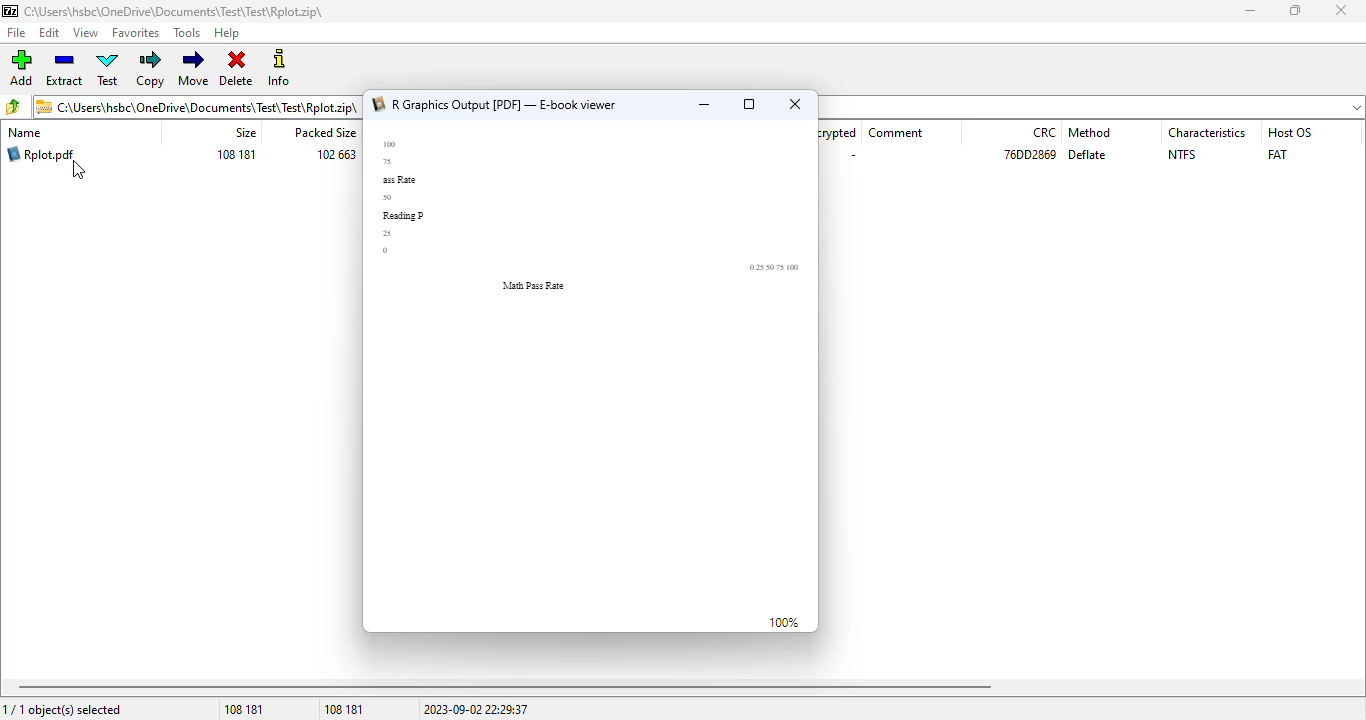 Image resolution: width=1366 pixels, height=720 pixels. Describe the element at coordinates (16, 33) in the screenshot. I see `file` at that location.